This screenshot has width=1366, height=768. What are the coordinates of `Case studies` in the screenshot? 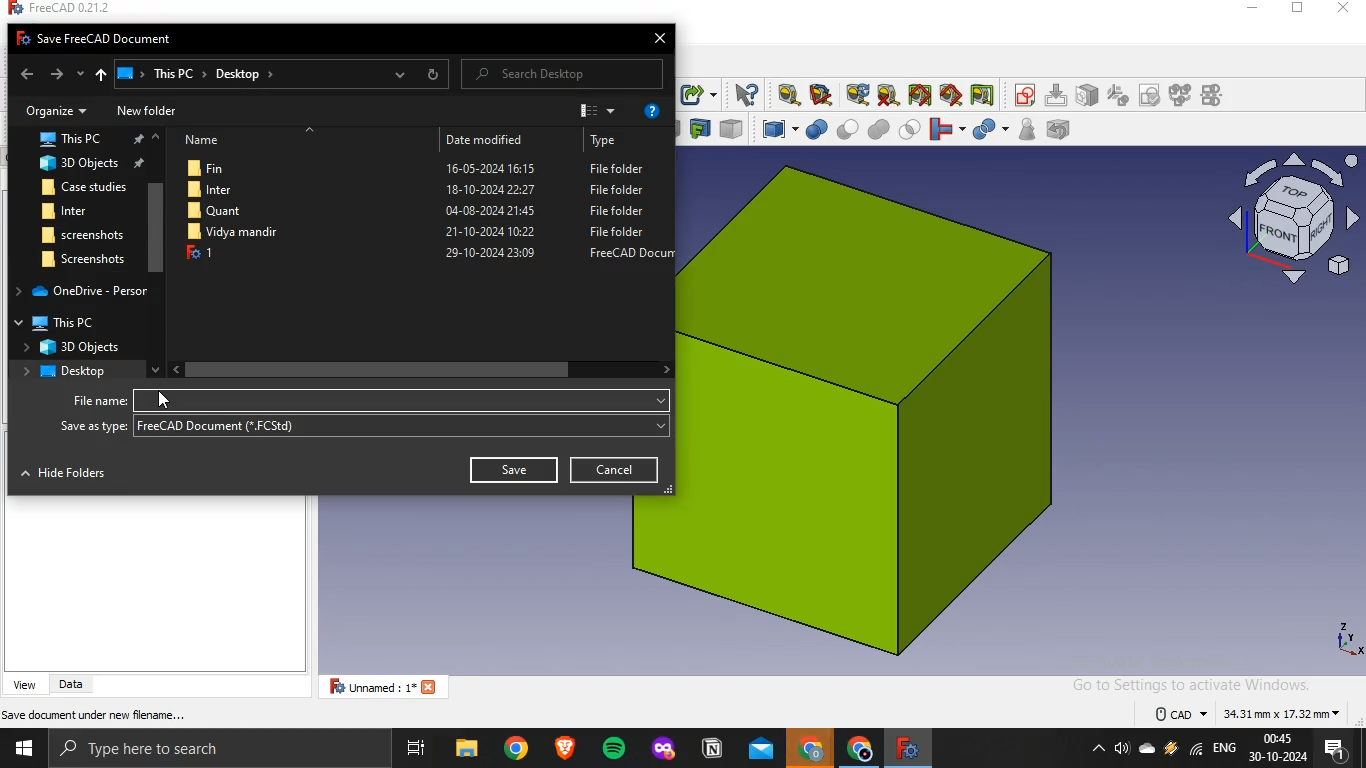 It's located at (73, 187).